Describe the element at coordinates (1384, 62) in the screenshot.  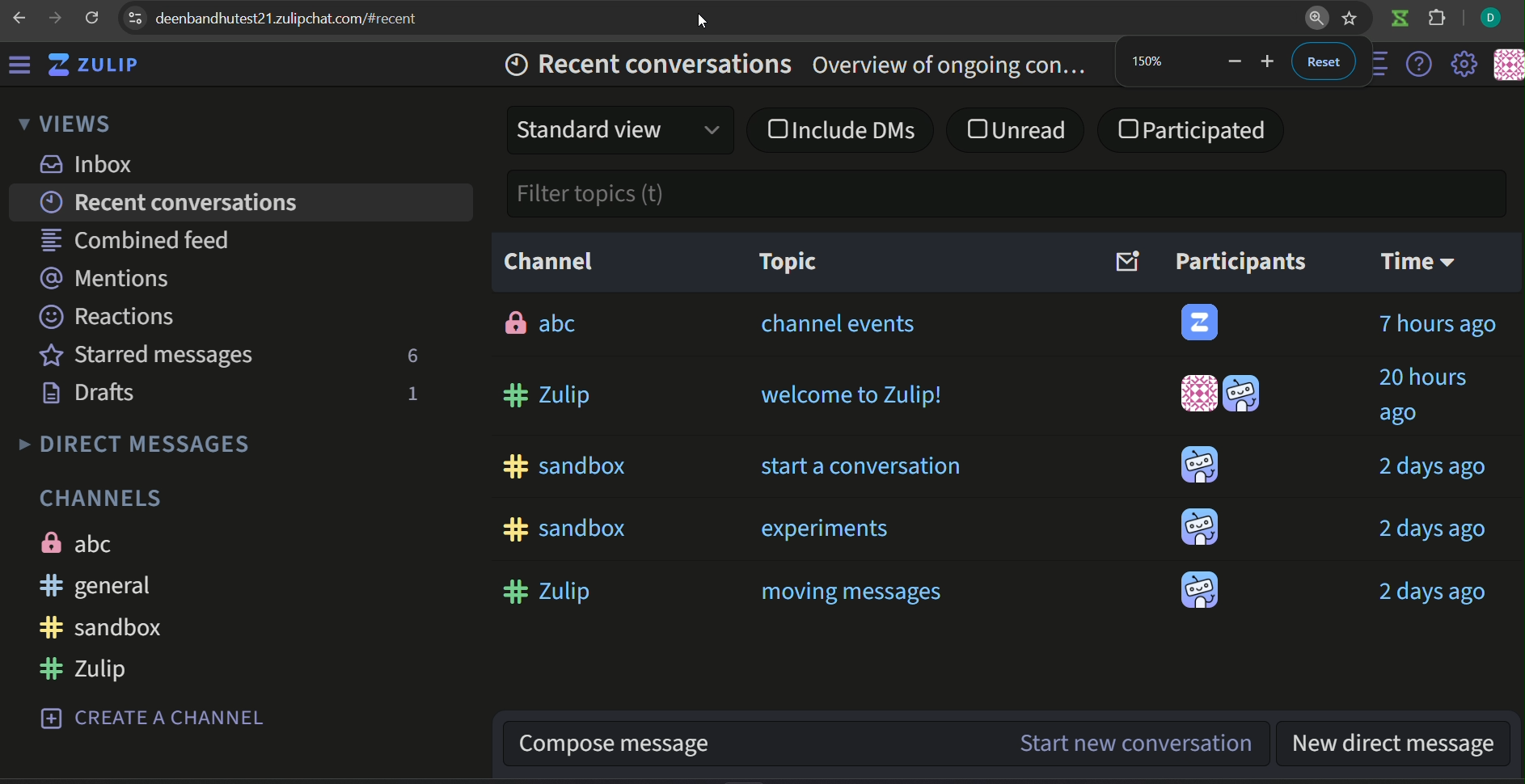
I see `options` at that location.